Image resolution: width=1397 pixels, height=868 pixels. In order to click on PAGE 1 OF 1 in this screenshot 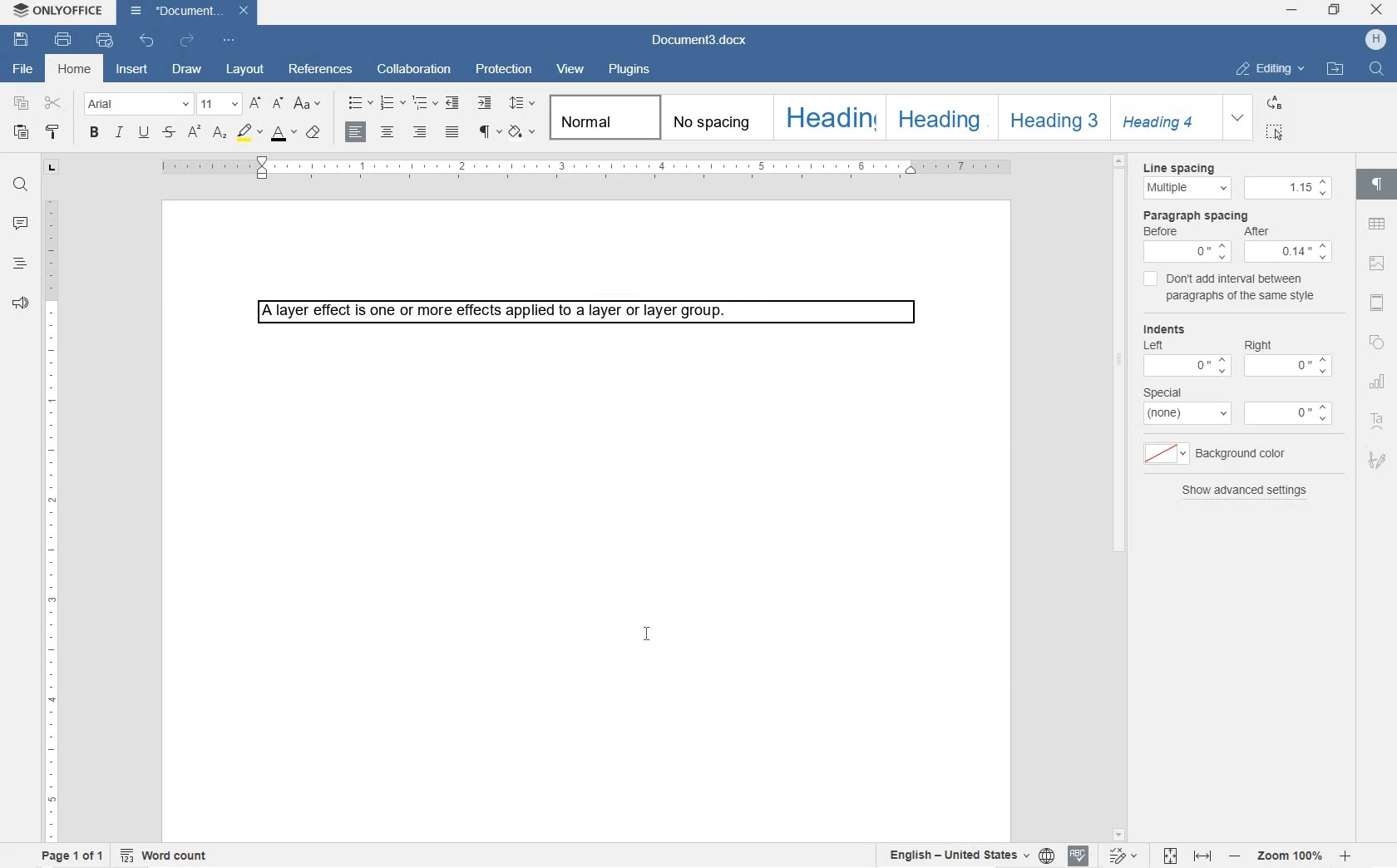, I will do `click(72, 854)`.